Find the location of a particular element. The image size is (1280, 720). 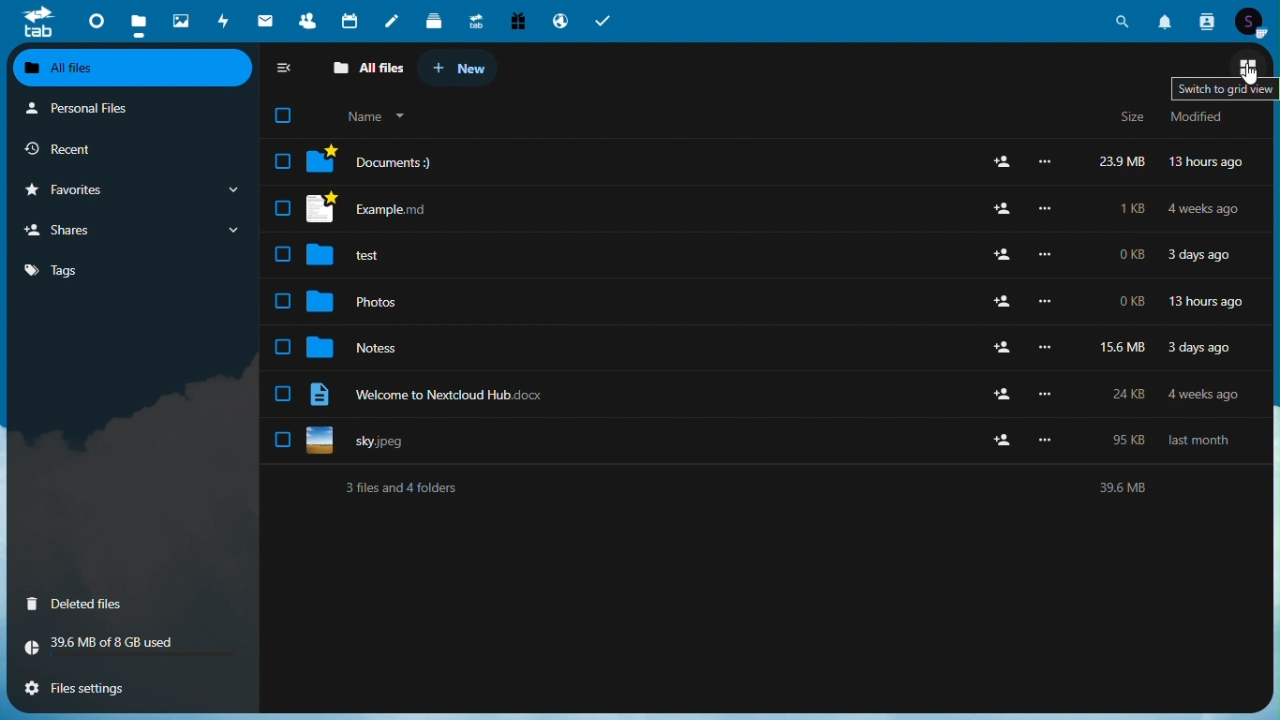

upgrade is located at coordinates (472, 21).